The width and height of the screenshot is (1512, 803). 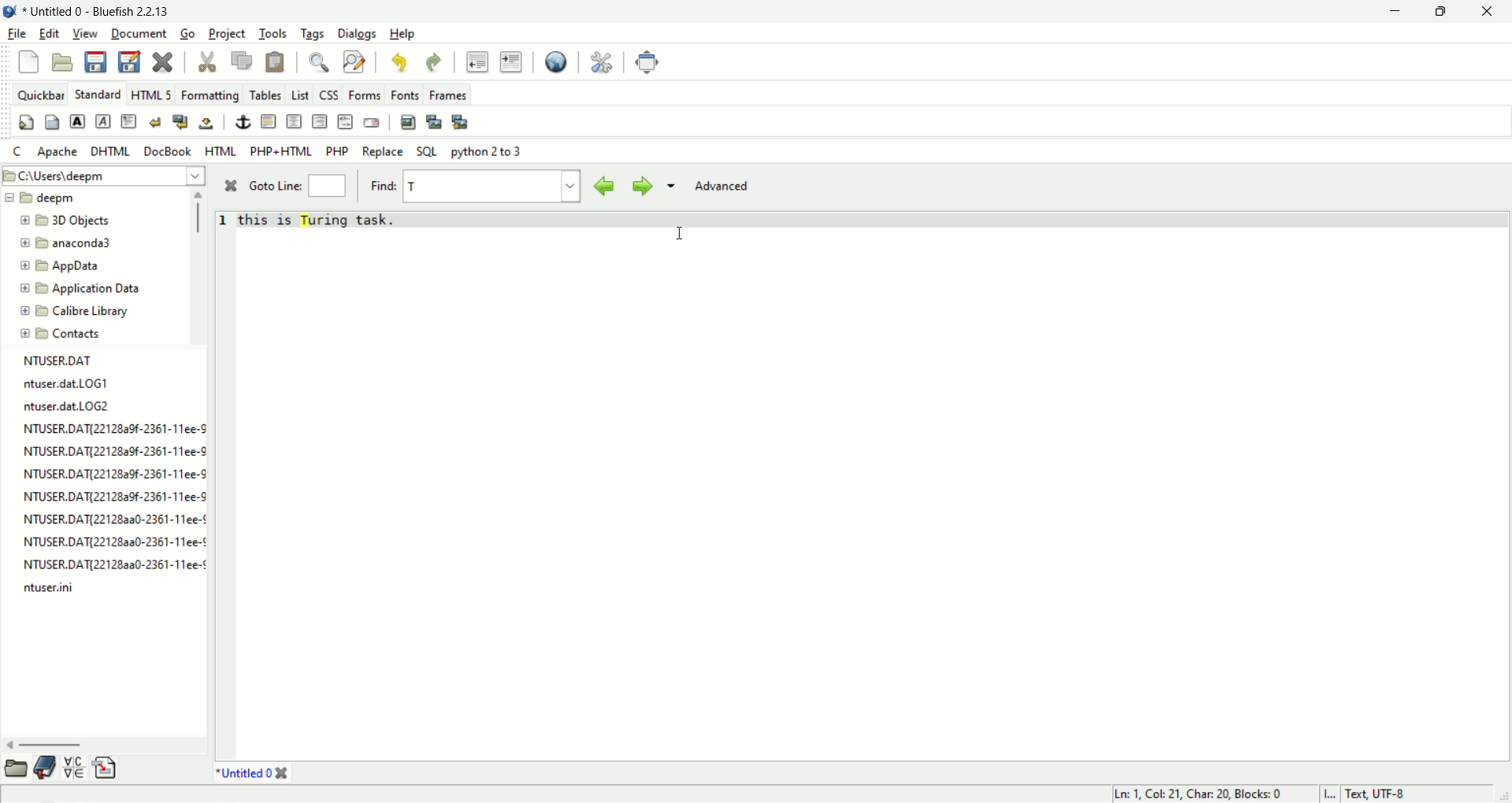 I want to click on minimize, so click(x=1391, y=13).